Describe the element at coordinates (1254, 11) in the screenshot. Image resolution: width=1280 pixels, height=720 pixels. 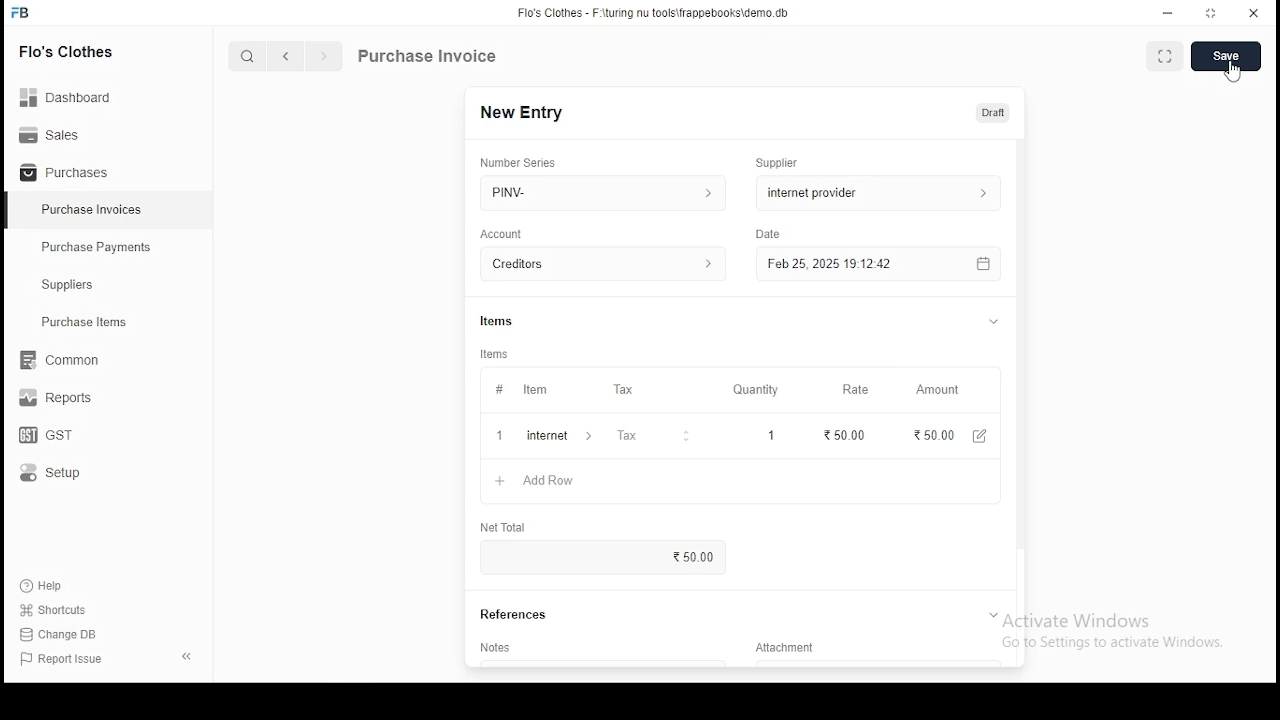
I see `close window` at that location.